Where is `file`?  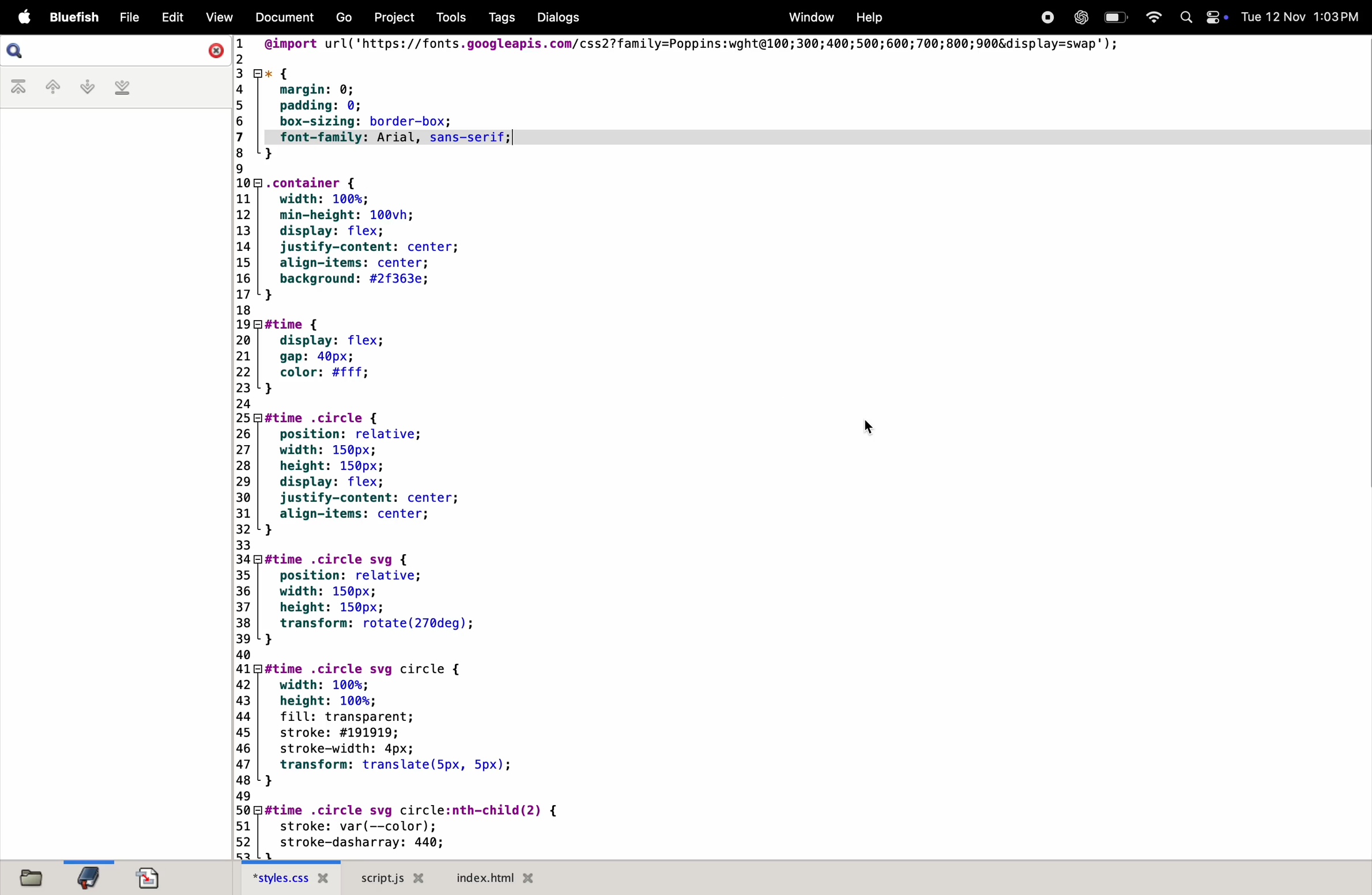 file is located at coordinates (34, 877).